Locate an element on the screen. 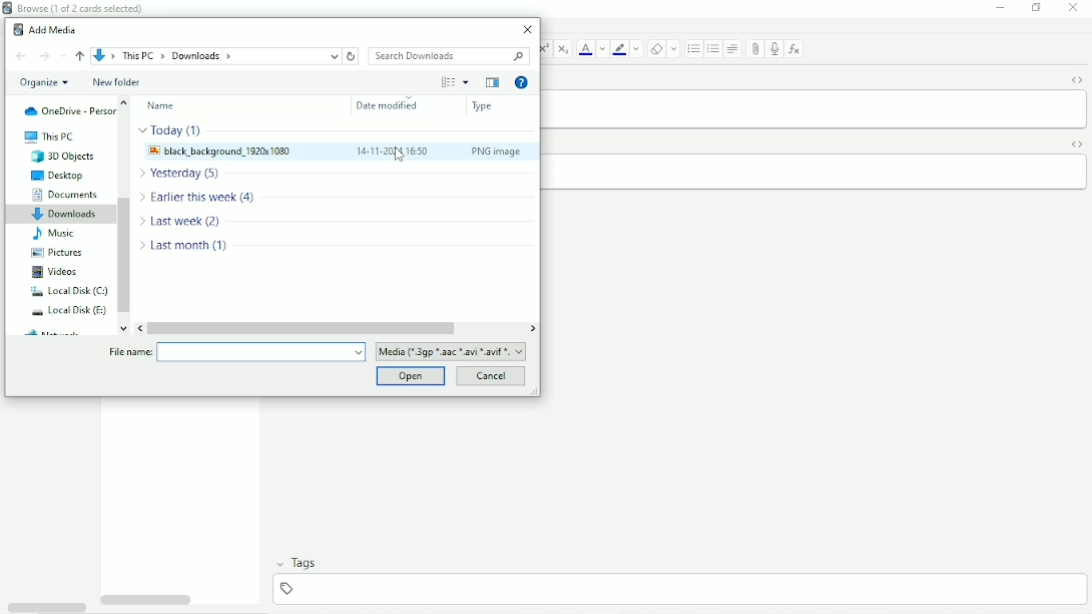  Name is located at coordinates (162, 106).